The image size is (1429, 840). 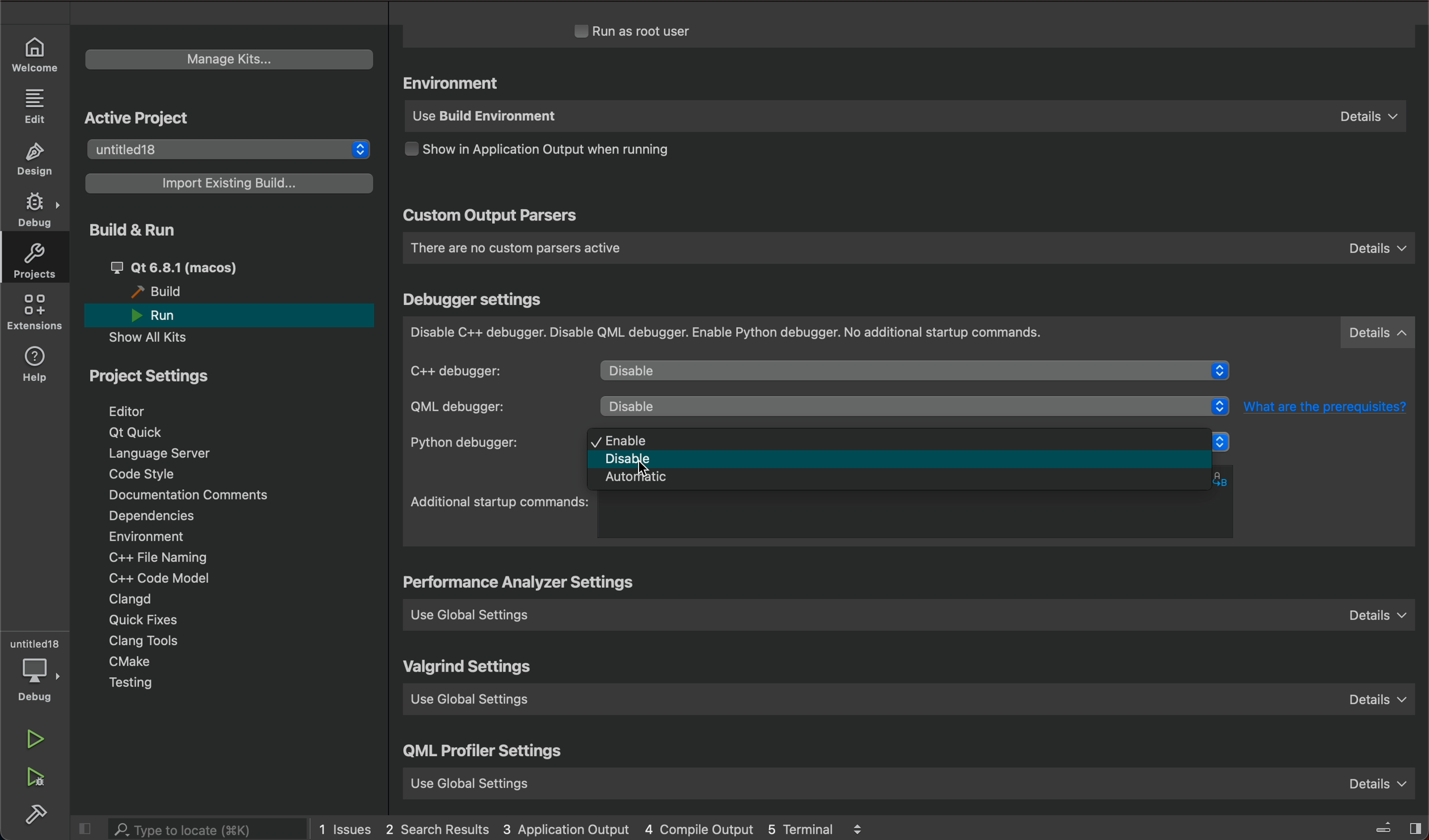 What do you see at coordinates (908, 248) in the screenshot?
I see `custom parsers` at bounding box center [908, 248].